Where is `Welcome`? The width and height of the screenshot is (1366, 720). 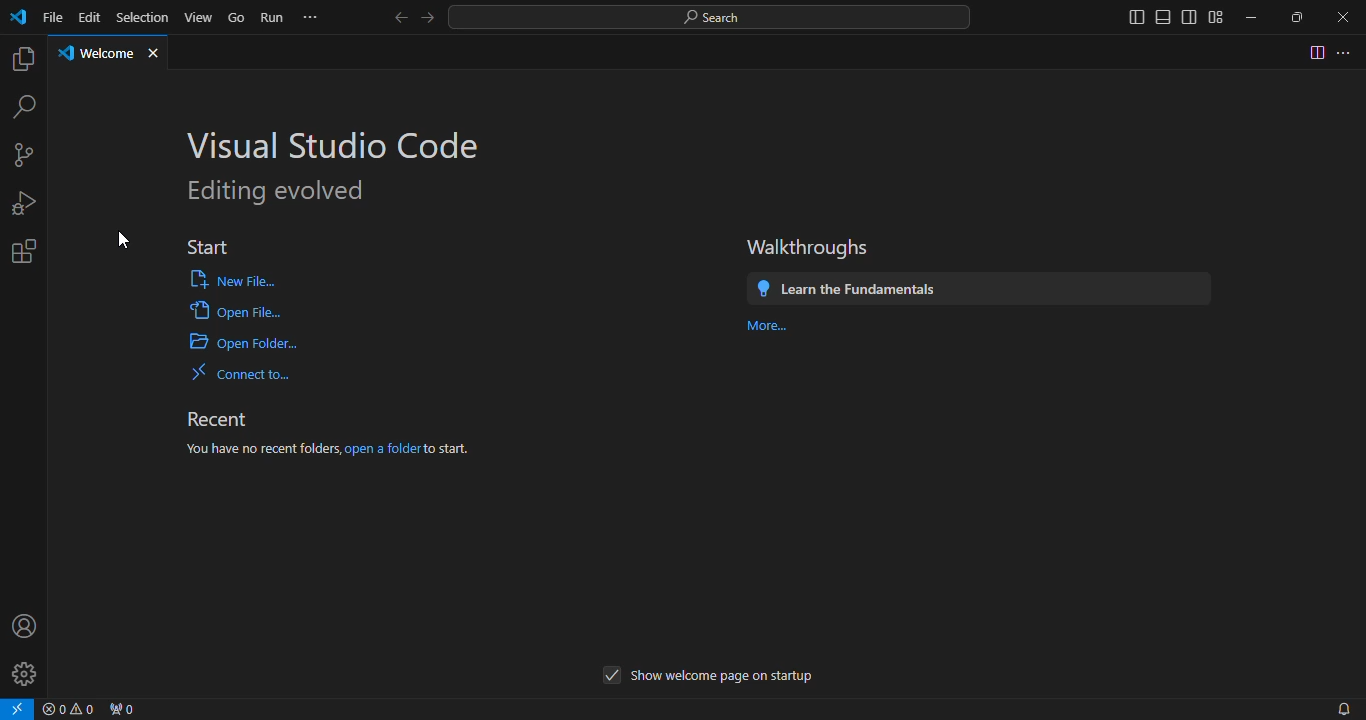
Welcome is located at coordinates (97, 56).